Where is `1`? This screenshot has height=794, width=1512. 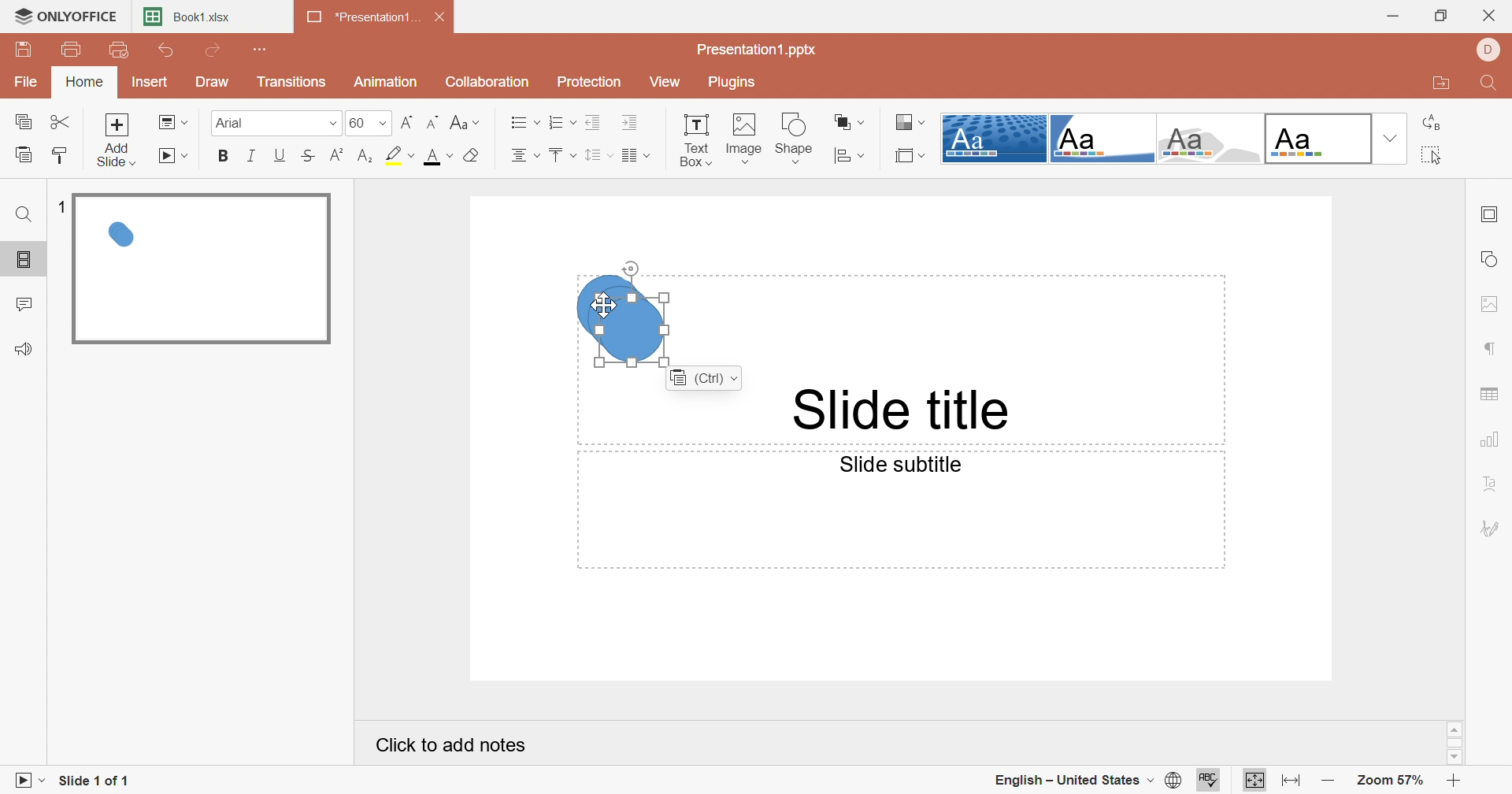
1 is located at coordinates (65, 209).